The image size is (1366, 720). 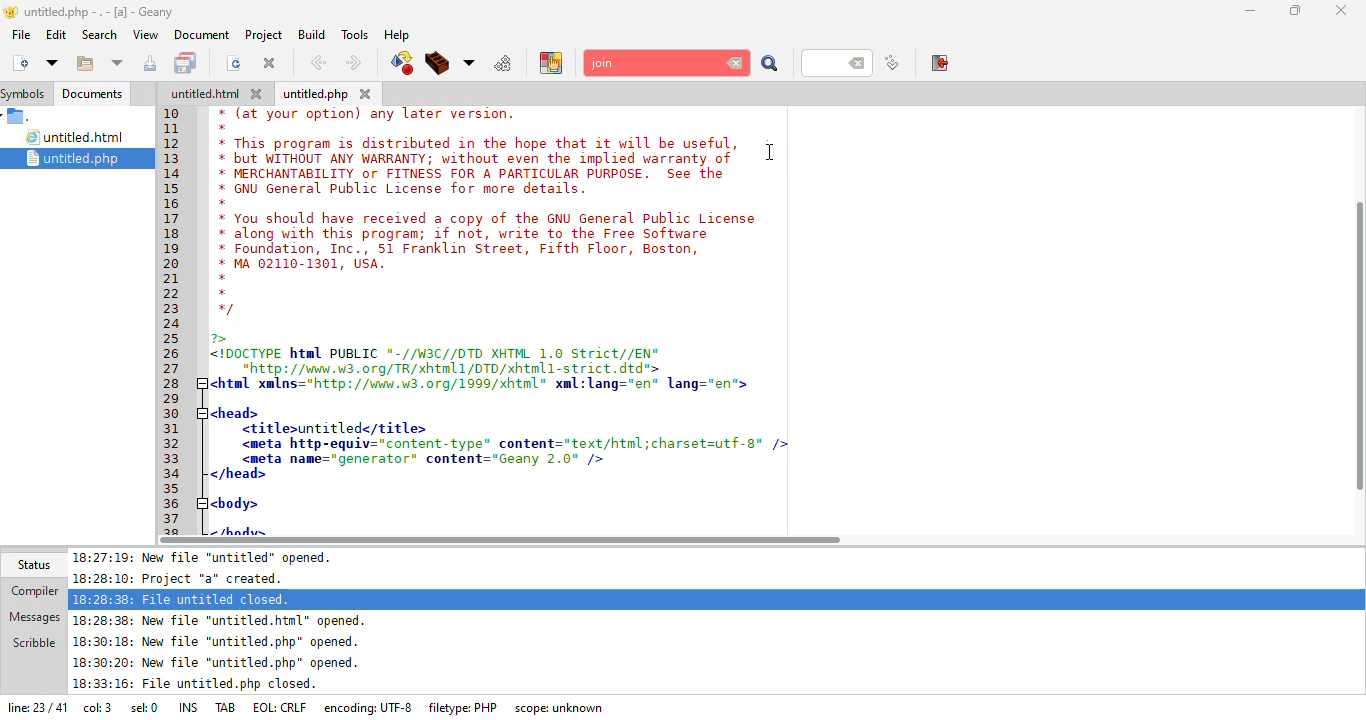 What do you see at coordinates (771, 151) in the screenshot?
I see `cursor` at bounding box center [771, 151].